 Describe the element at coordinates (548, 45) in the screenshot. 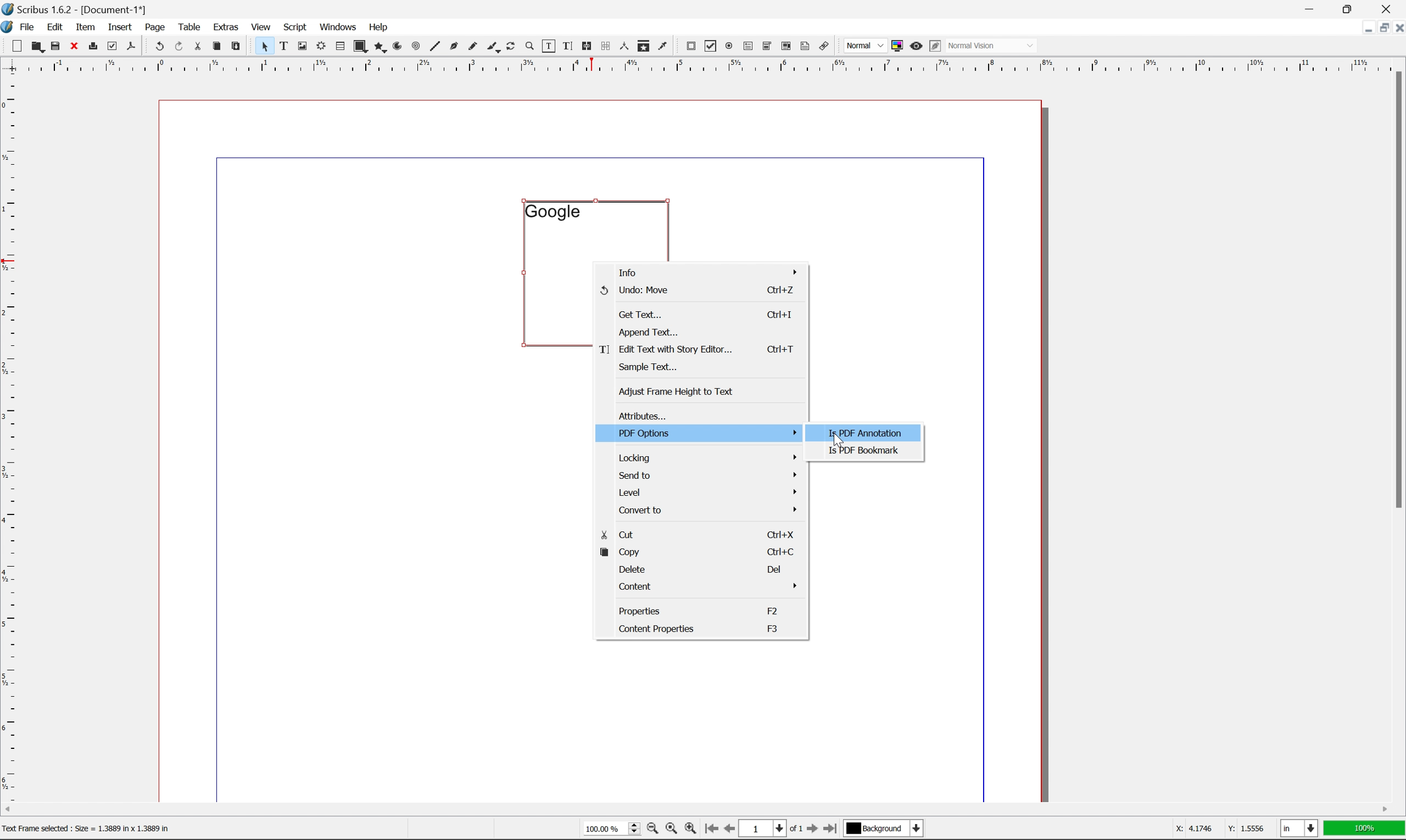

I see `edit contents of frame` at that location.